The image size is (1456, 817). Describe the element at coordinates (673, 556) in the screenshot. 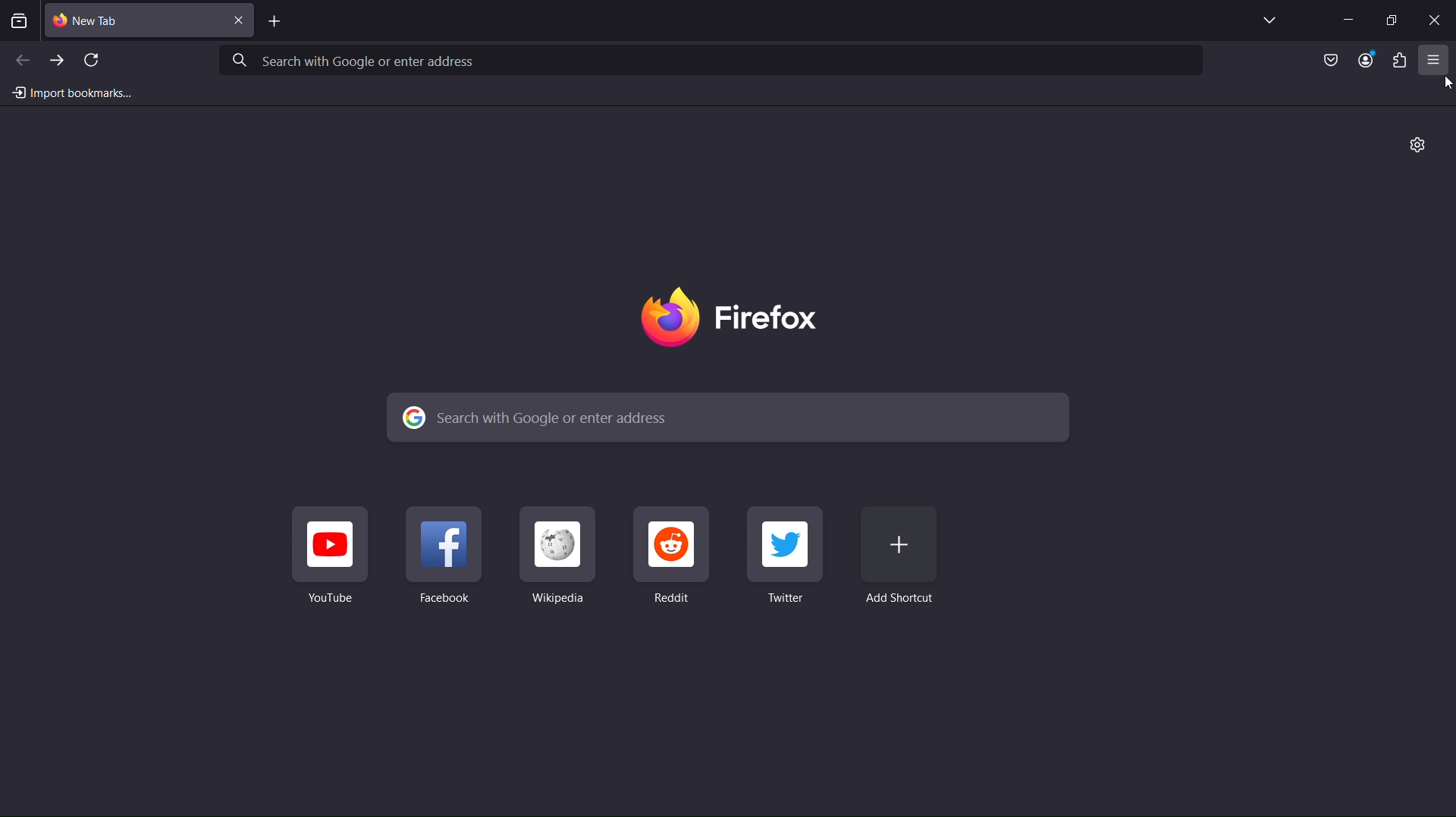

I see `Reddit Shortcut` at that location.